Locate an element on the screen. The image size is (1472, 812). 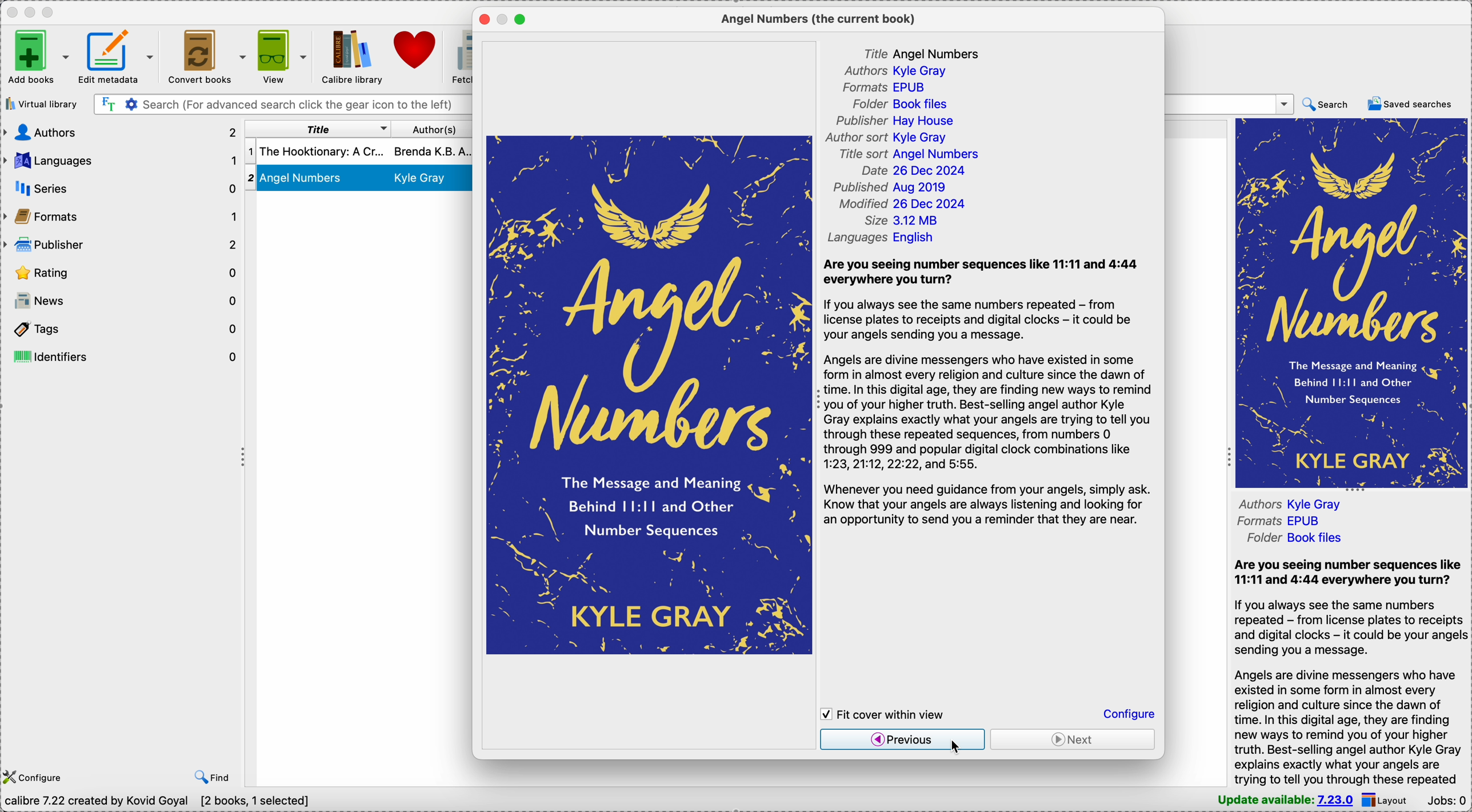
rating is located at coordinates (122, 271).